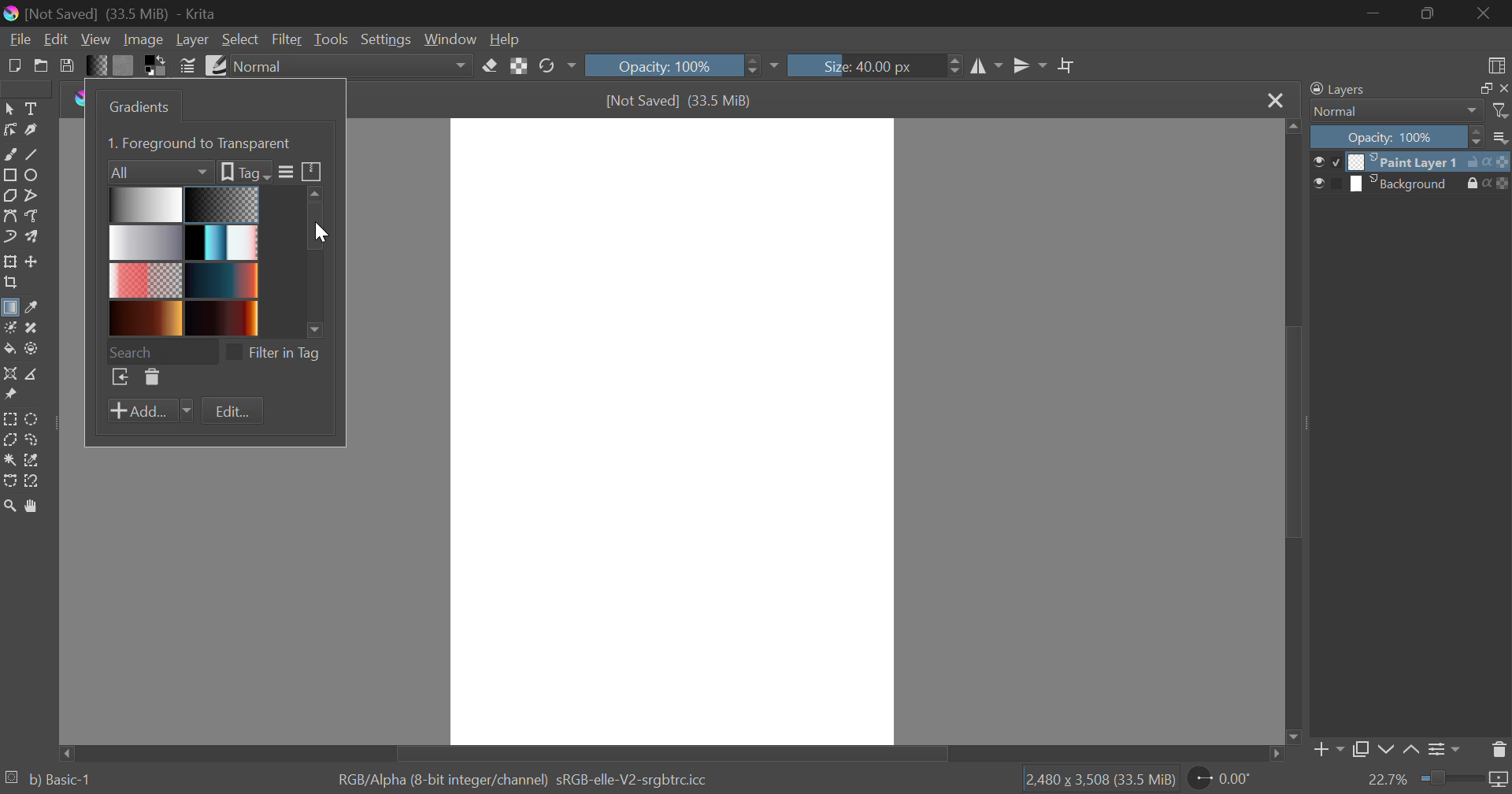  I want to click on Dynamic Brush Tool, so click(9, 238).